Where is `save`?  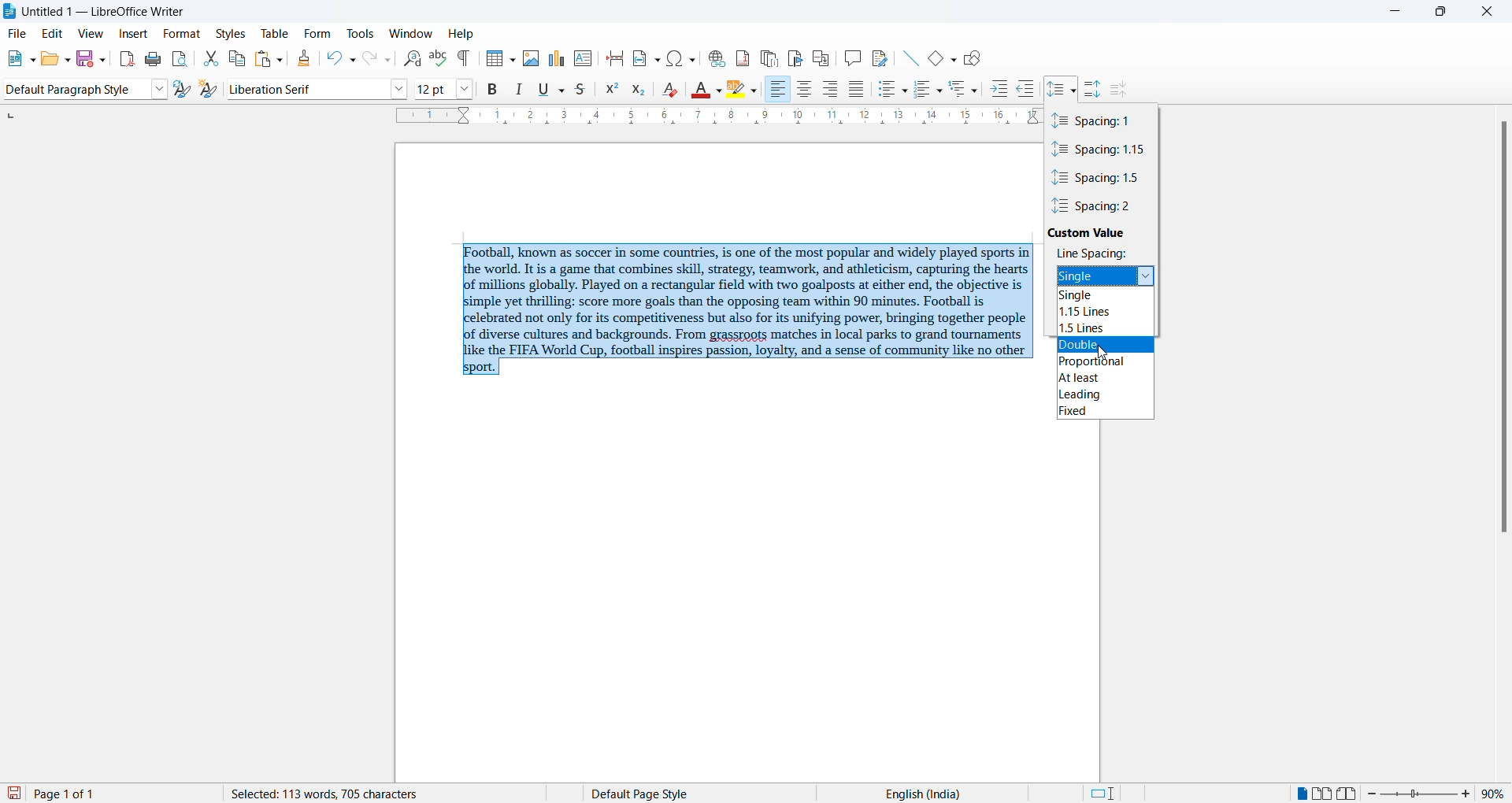
save is located at coordinates (14, 793).